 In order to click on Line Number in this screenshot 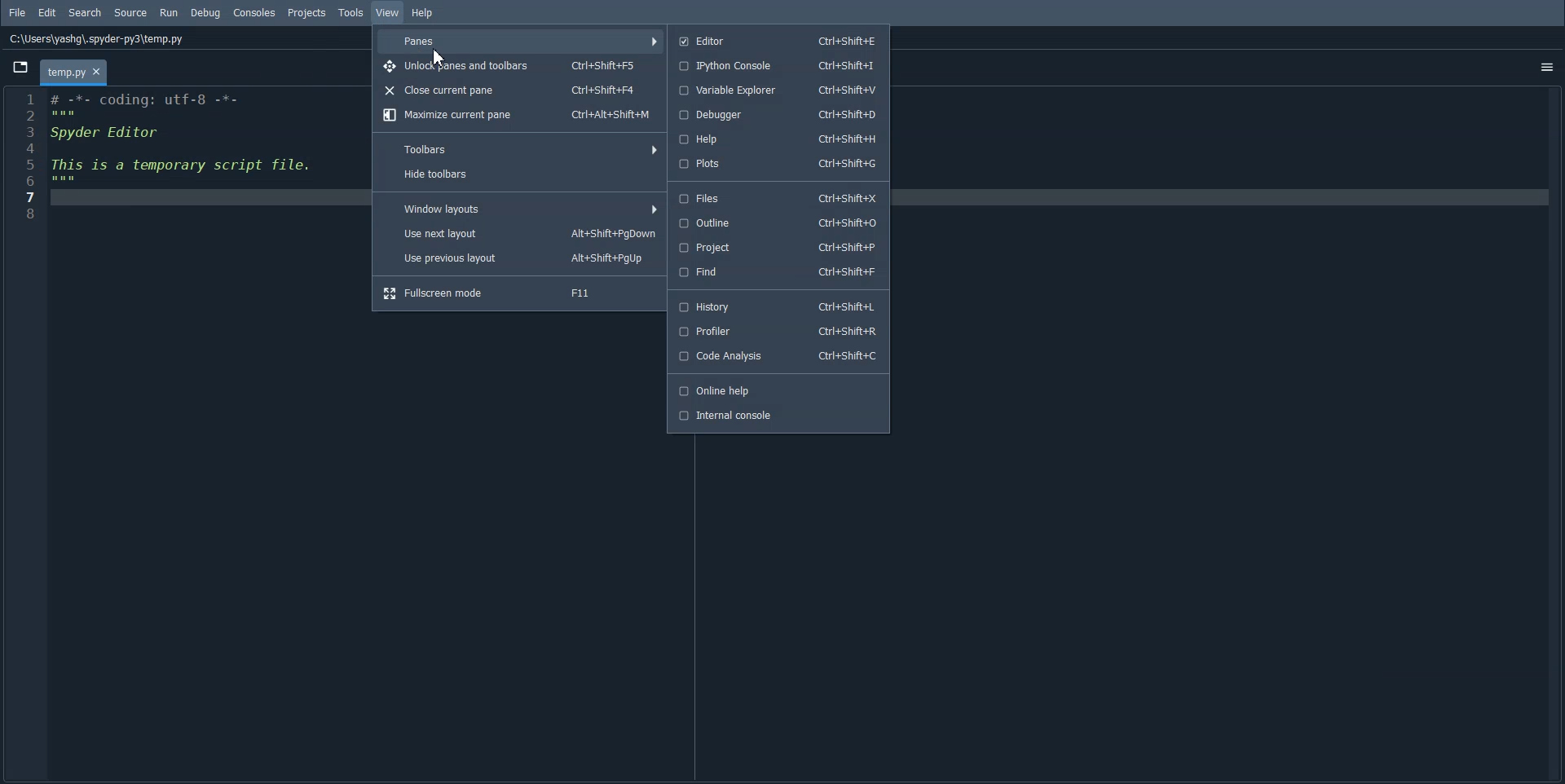, I will do `click(25, 153)`.